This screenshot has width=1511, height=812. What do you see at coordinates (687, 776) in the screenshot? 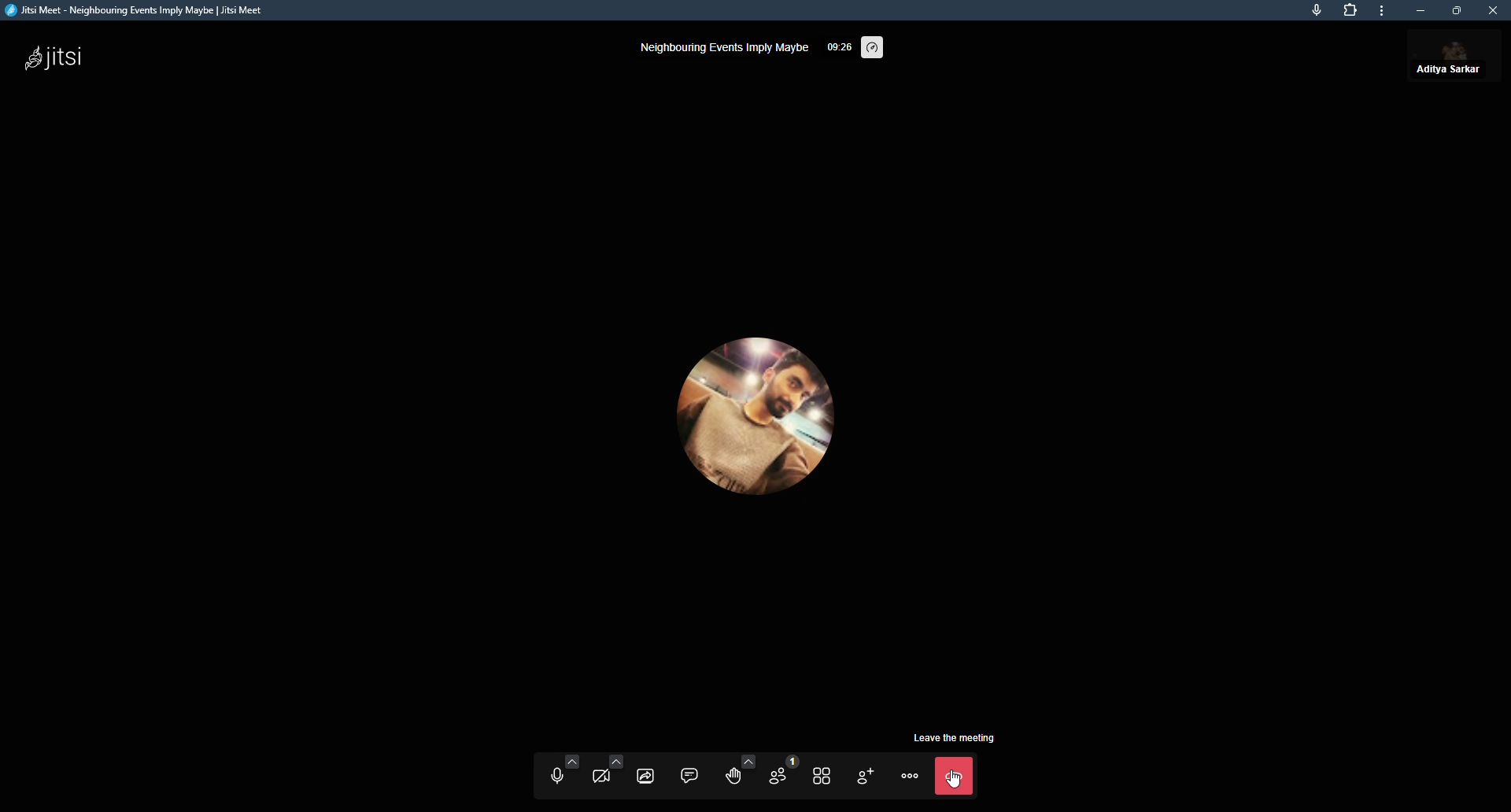
I see `open chat` at bounding box center [687, 776].